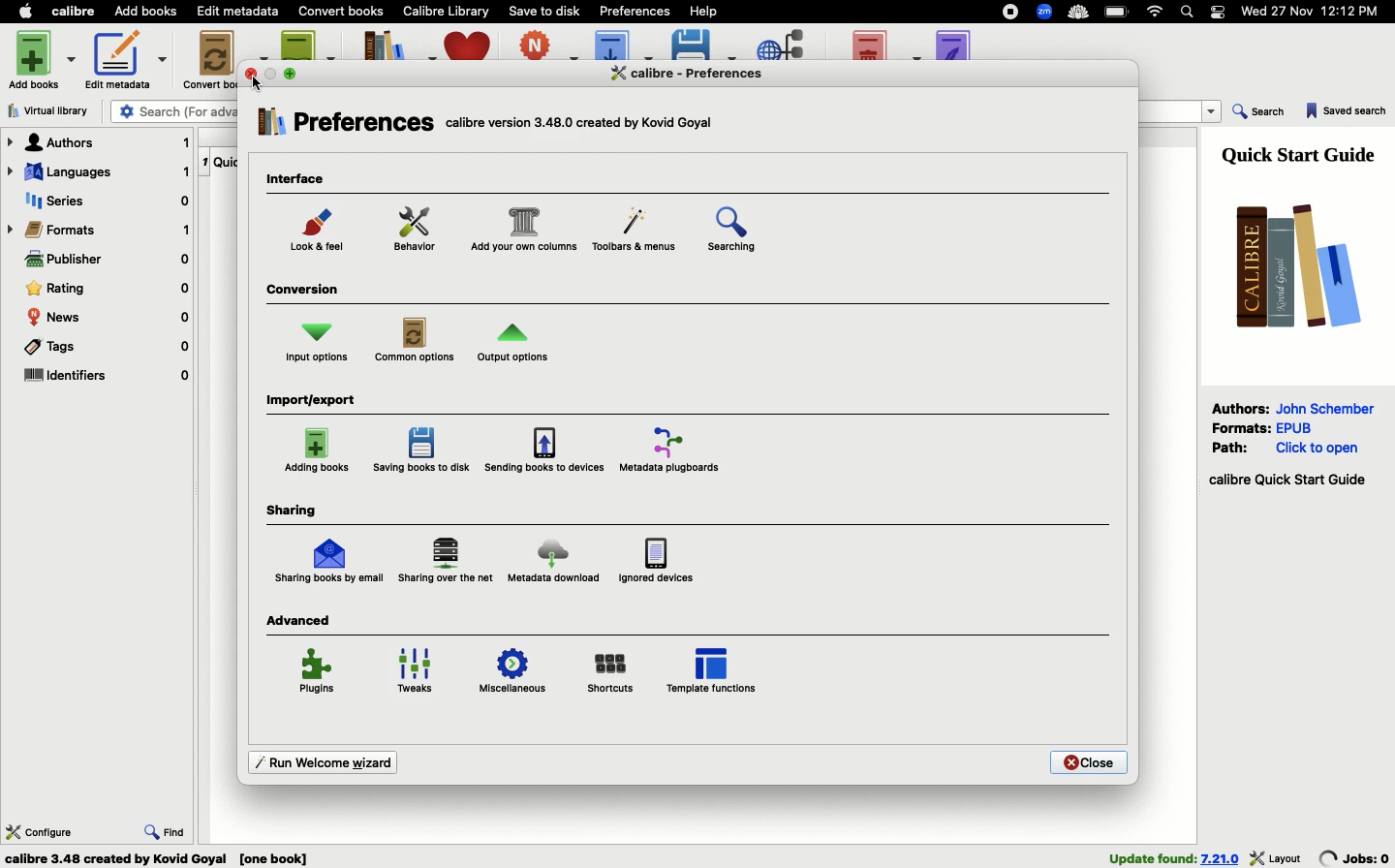 This screenshot has height=868, width=1395. Describe the element at coordinates (675, 449) in the screenshot. I see `Metadata` at that location.